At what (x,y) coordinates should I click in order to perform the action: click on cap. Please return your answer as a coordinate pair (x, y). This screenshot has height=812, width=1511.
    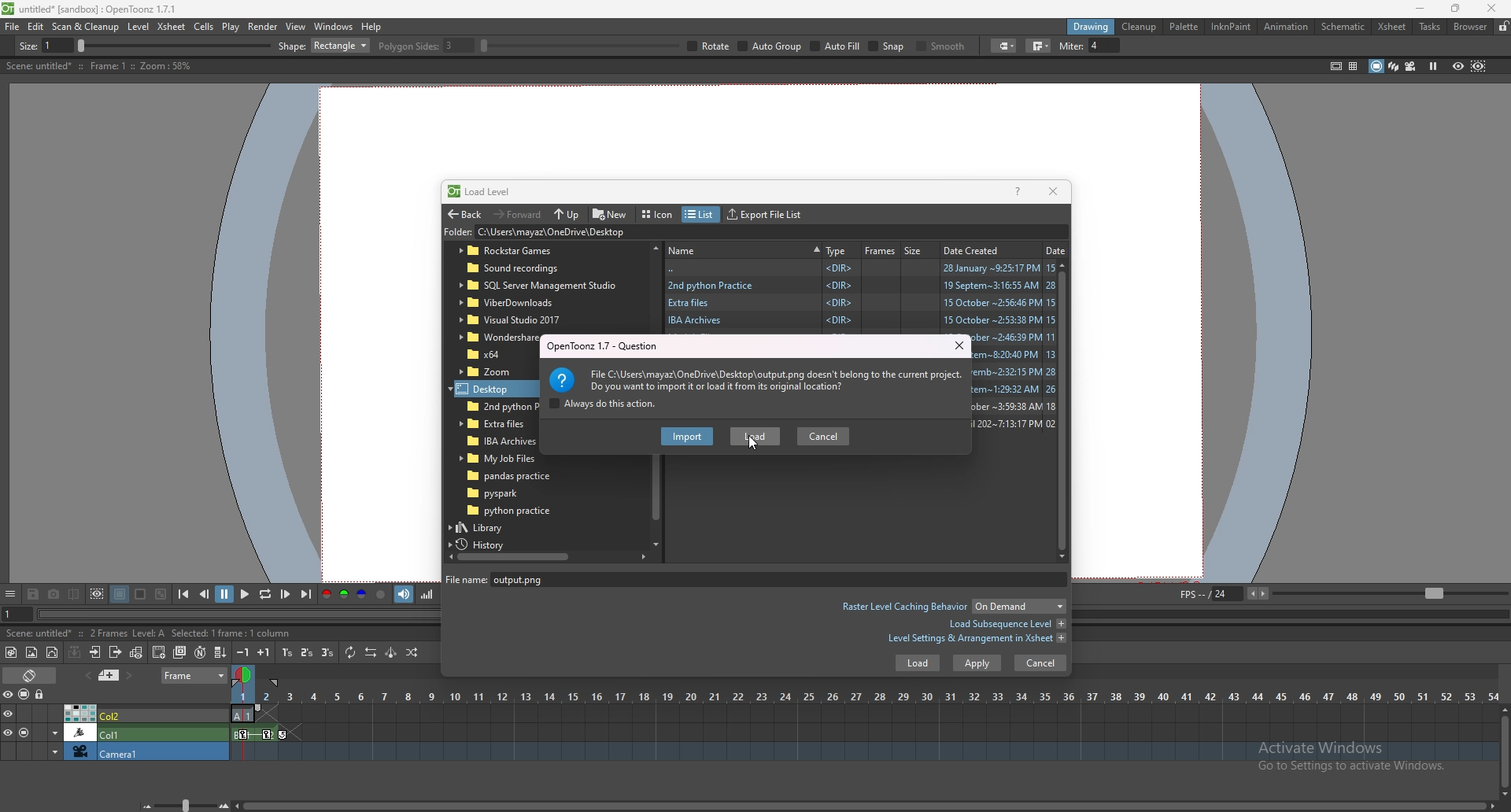
    Looking at the image, I should click on (1278, 46).